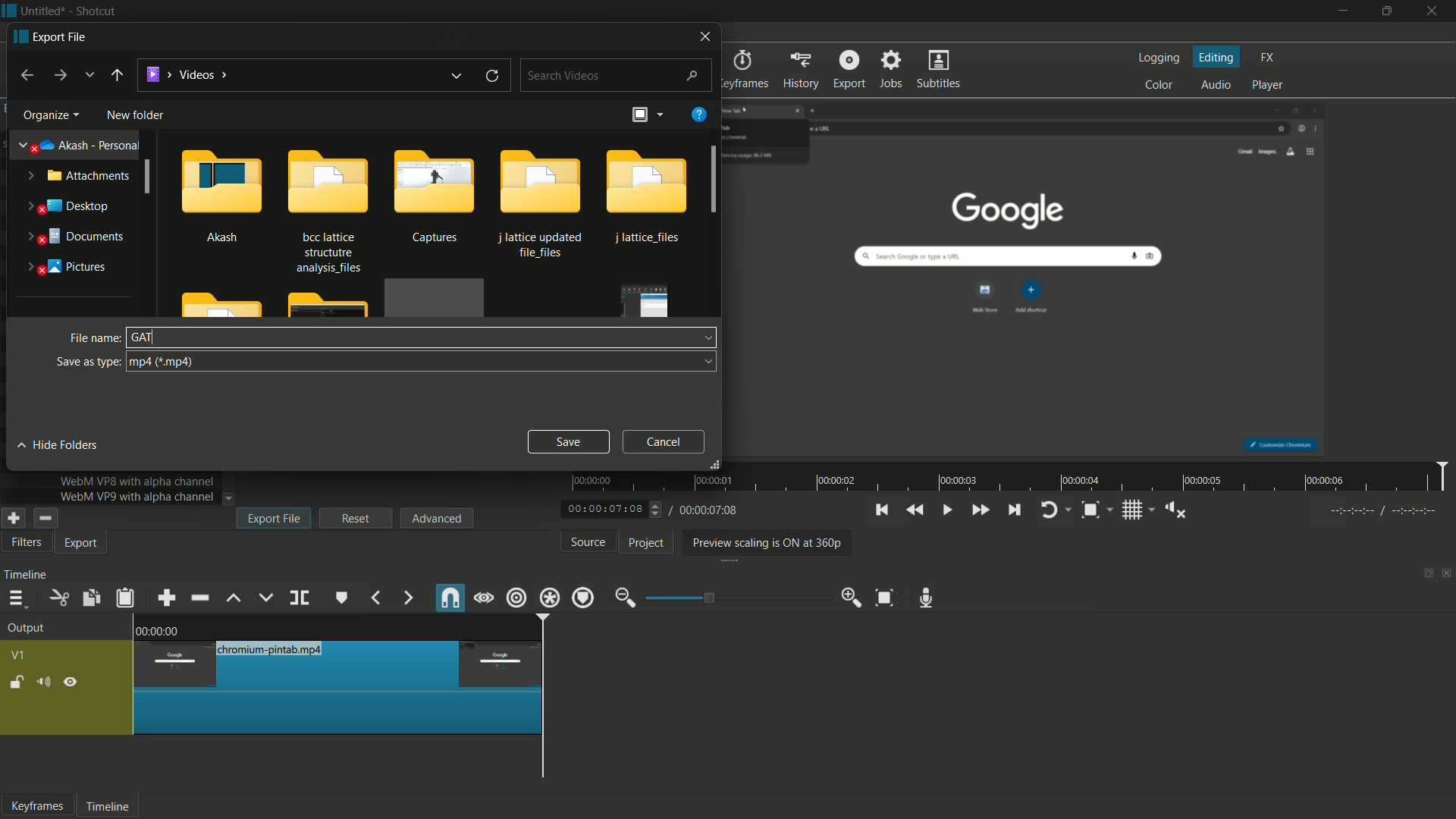 Image resolution: width=1456 pixels, height=819 pixels. I want to click on player, so click(1268, 83).